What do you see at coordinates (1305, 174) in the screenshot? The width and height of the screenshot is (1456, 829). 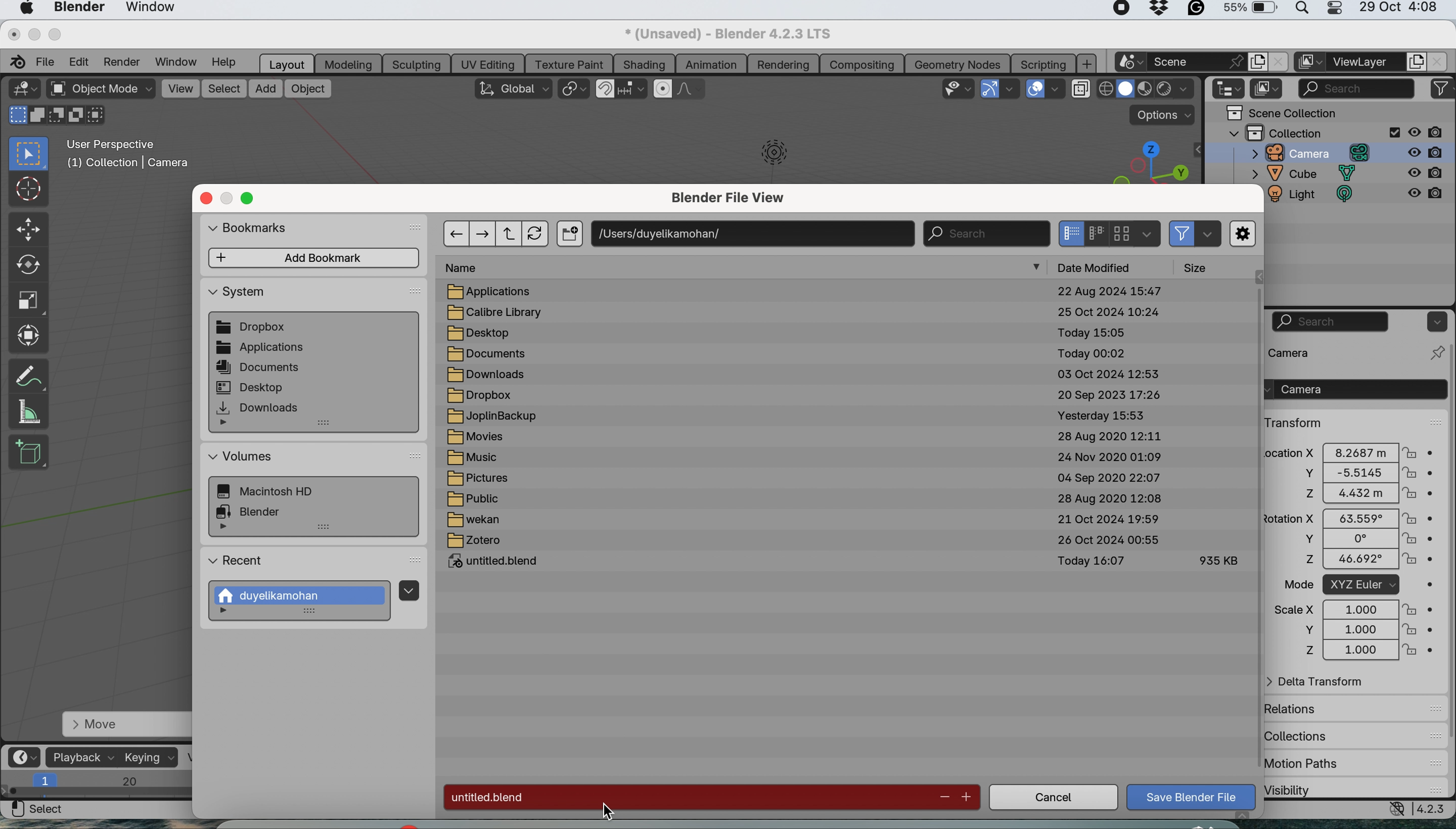 I see `cube` at bounding box center [1305, 174].